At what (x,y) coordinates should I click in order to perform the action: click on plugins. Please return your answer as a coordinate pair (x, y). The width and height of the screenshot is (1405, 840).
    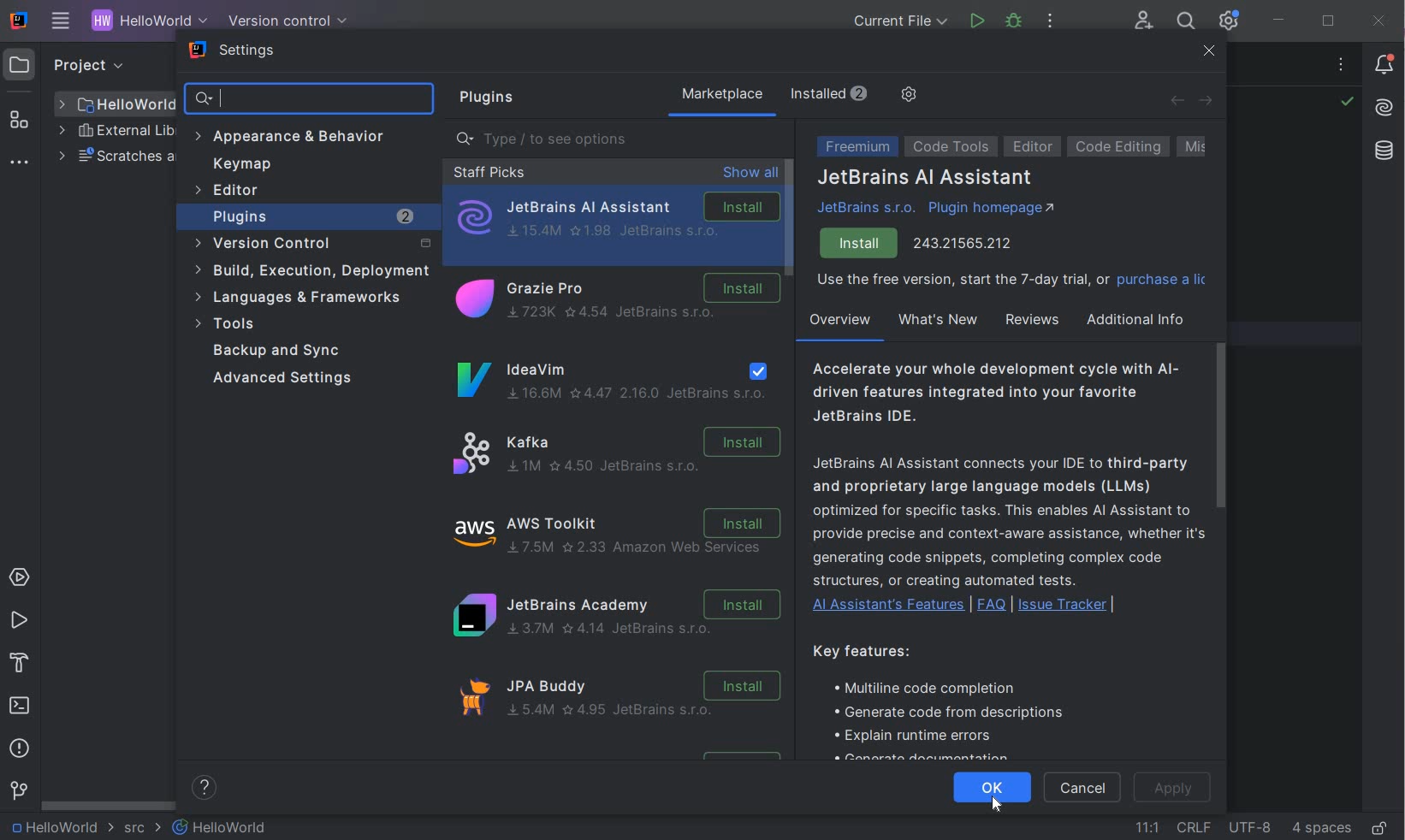
    Looking at the image, I should click on (315, 216).